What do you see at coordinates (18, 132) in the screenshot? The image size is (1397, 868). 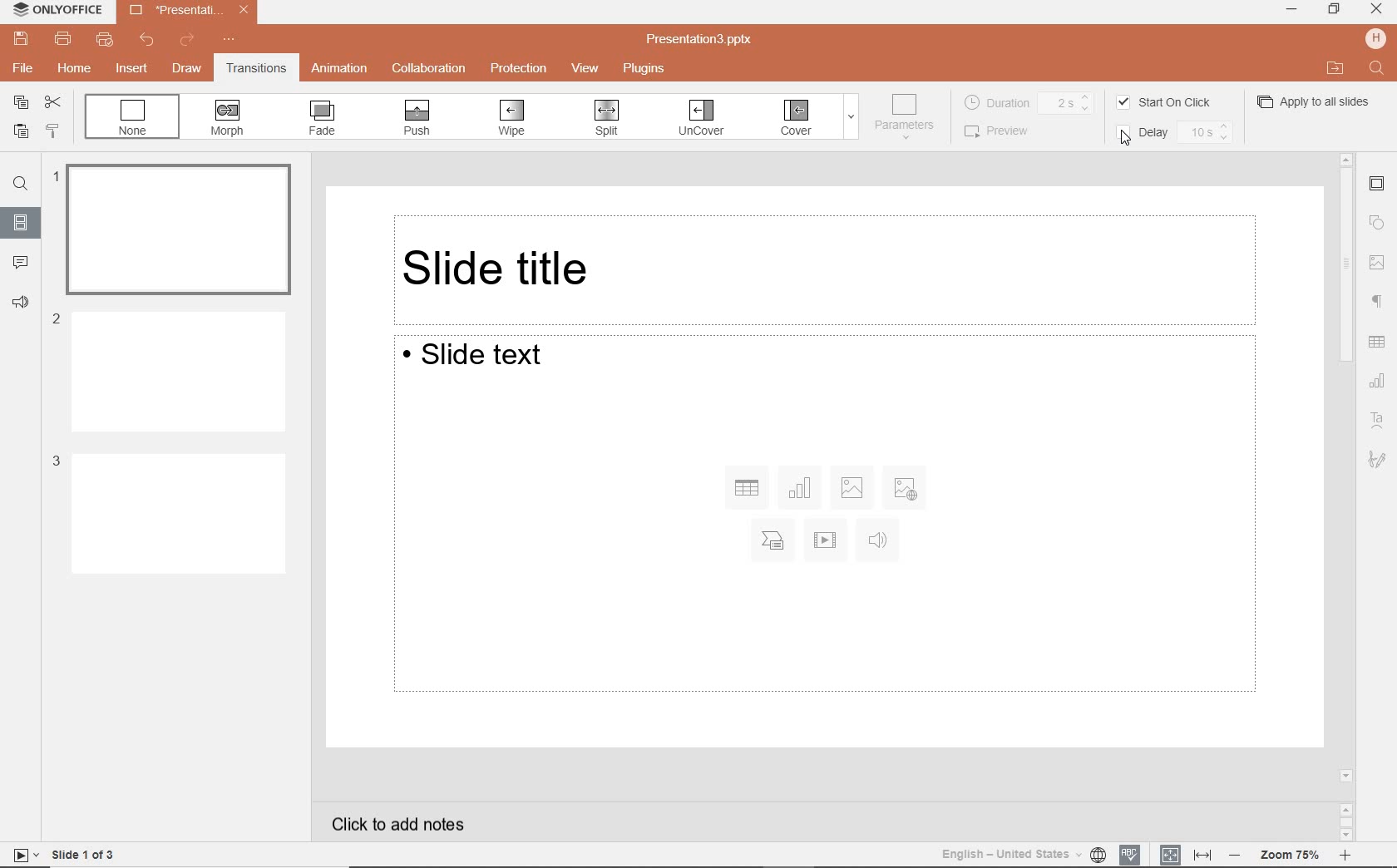 I see `paste` at bounding box center [18, 132].